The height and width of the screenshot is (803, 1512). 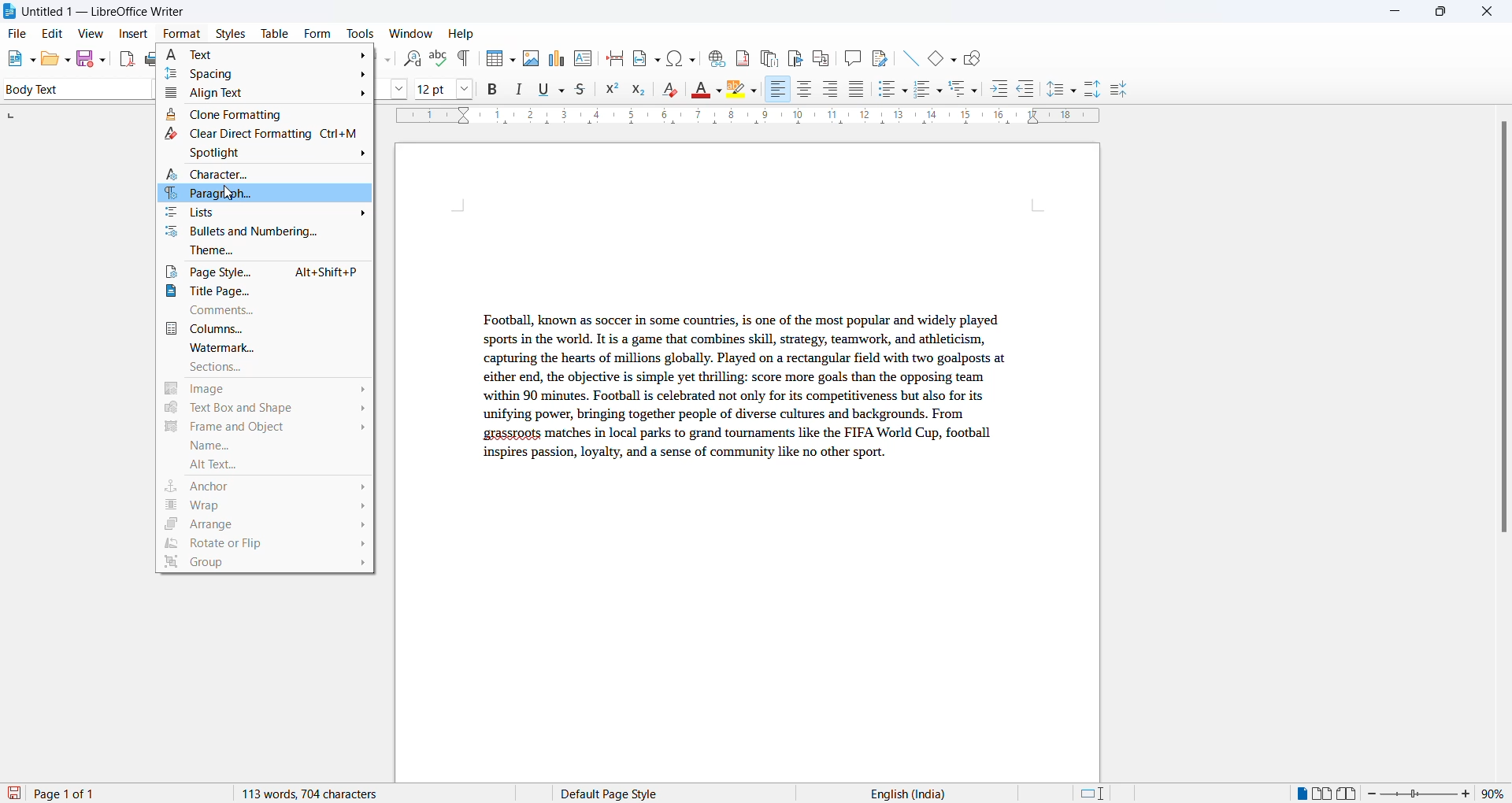 What do you see at coordinates (497, 60) in the screenshot?
I see `insert image` at bounding box center [497, 60].